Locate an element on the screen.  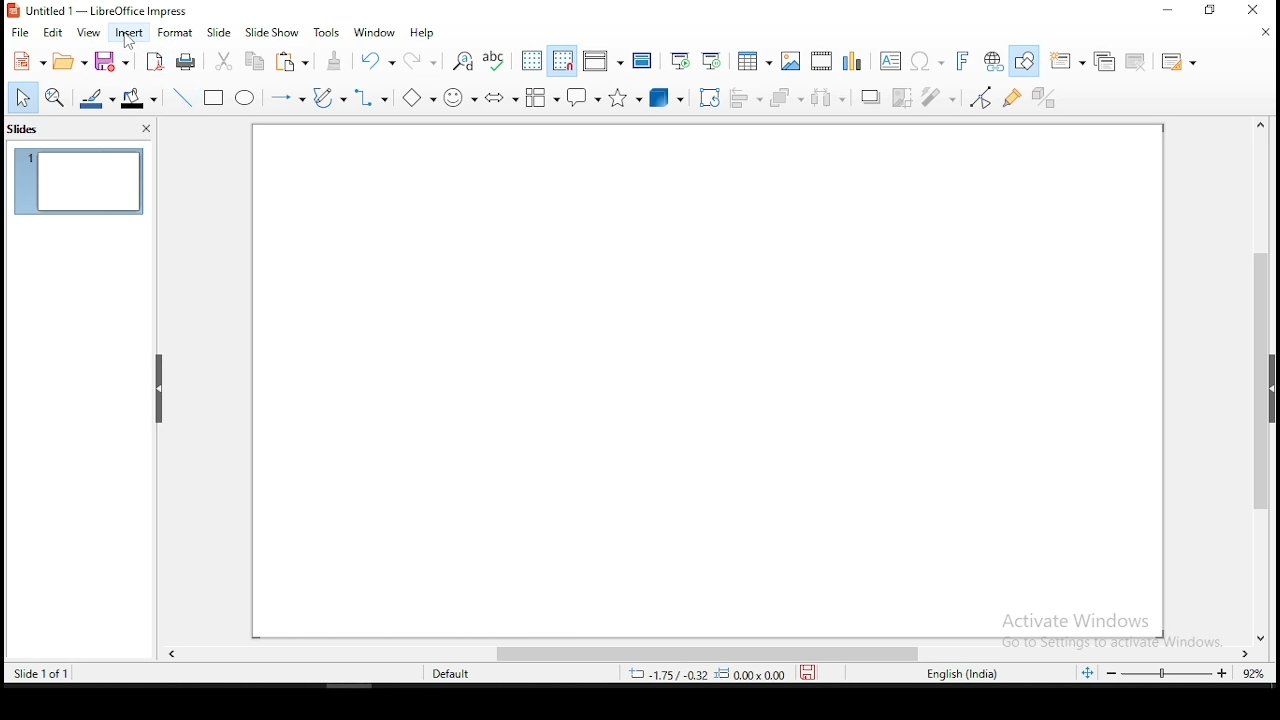
line is located at coordinates (183, 98).